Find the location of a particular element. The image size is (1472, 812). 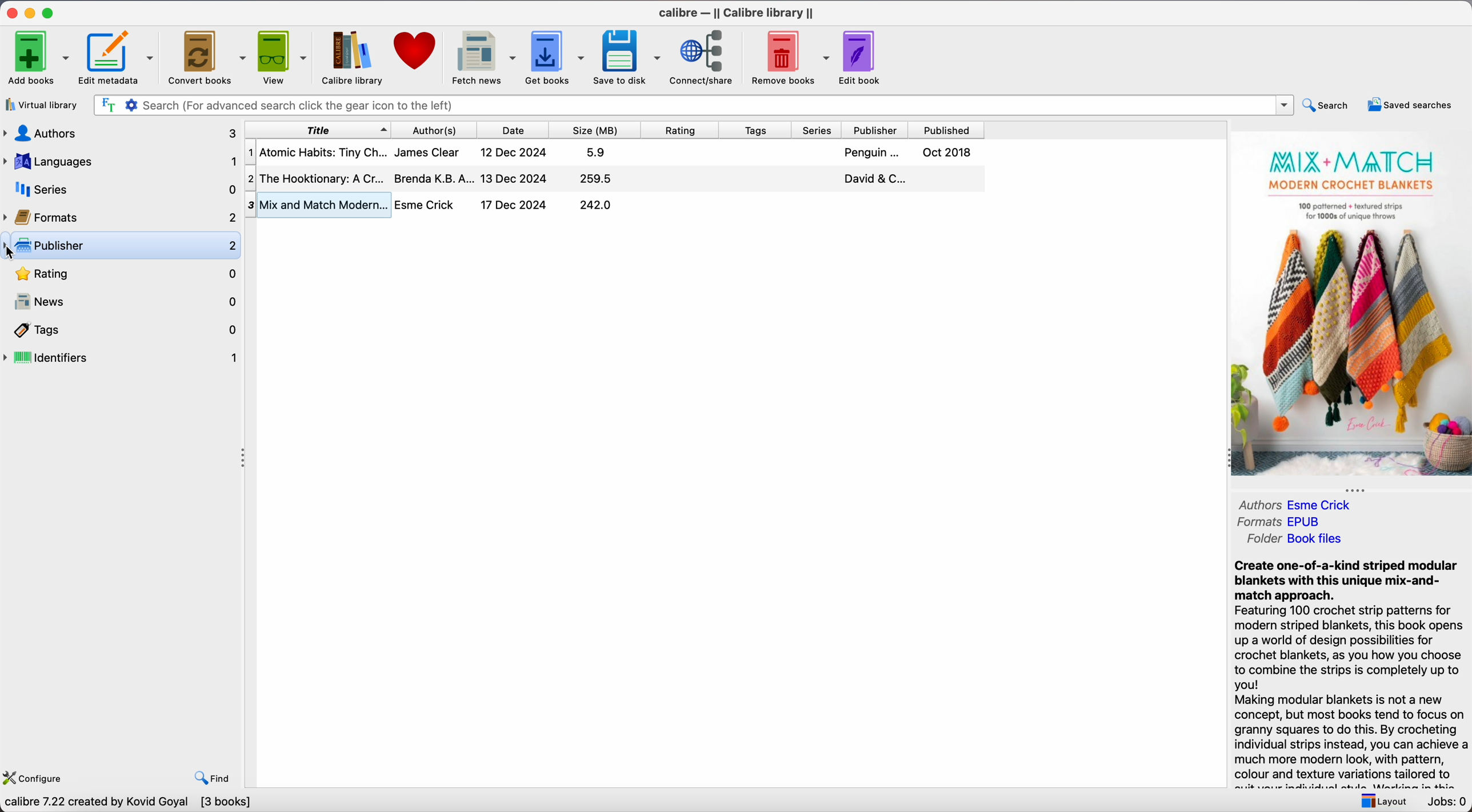

view is located at coordinates (283, 57).